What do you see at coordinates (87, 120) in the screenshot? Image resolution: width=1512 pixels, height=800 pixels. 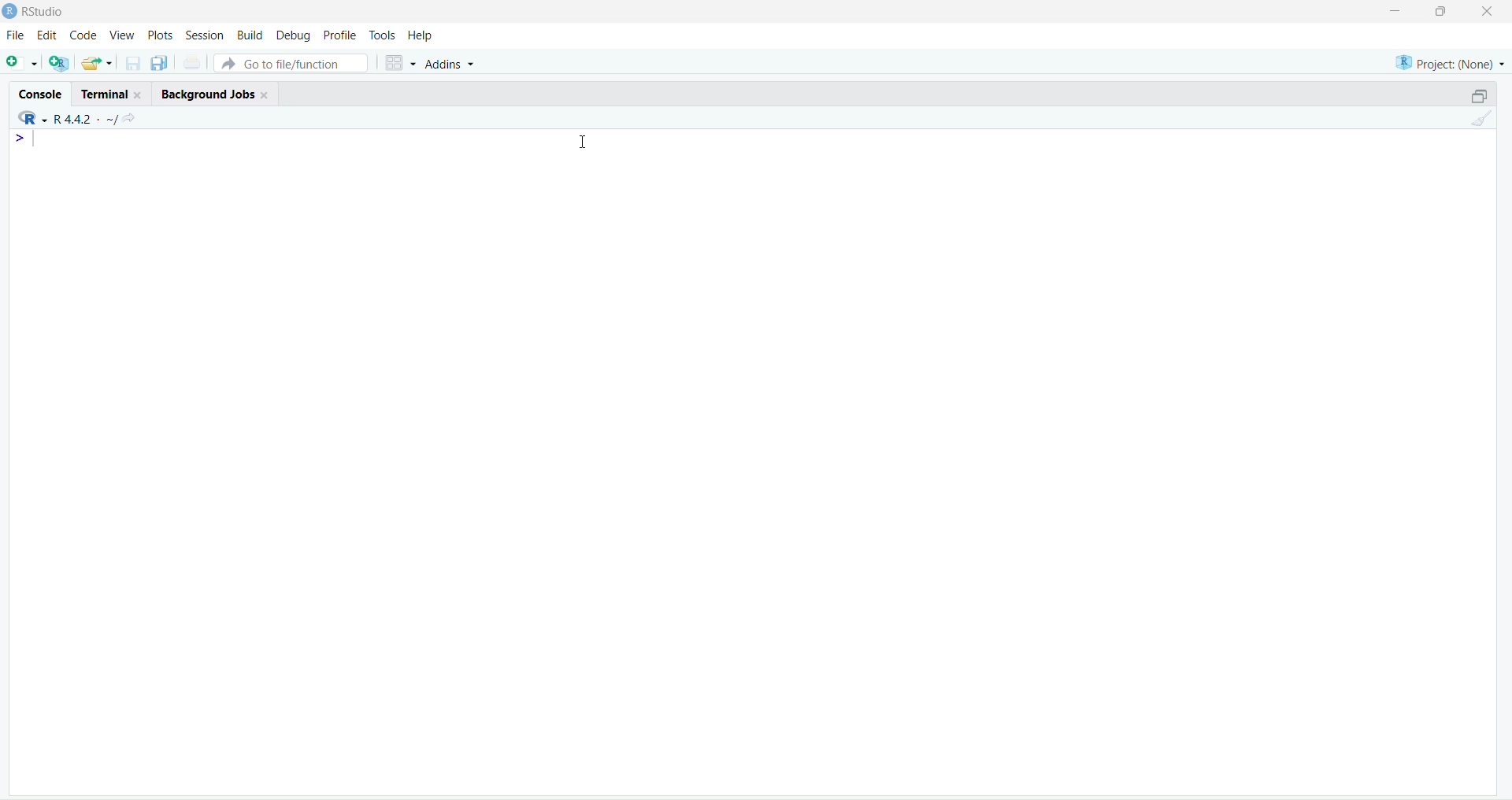 I see `R 4.4.2 ~/` at bounding box center [87, 120].